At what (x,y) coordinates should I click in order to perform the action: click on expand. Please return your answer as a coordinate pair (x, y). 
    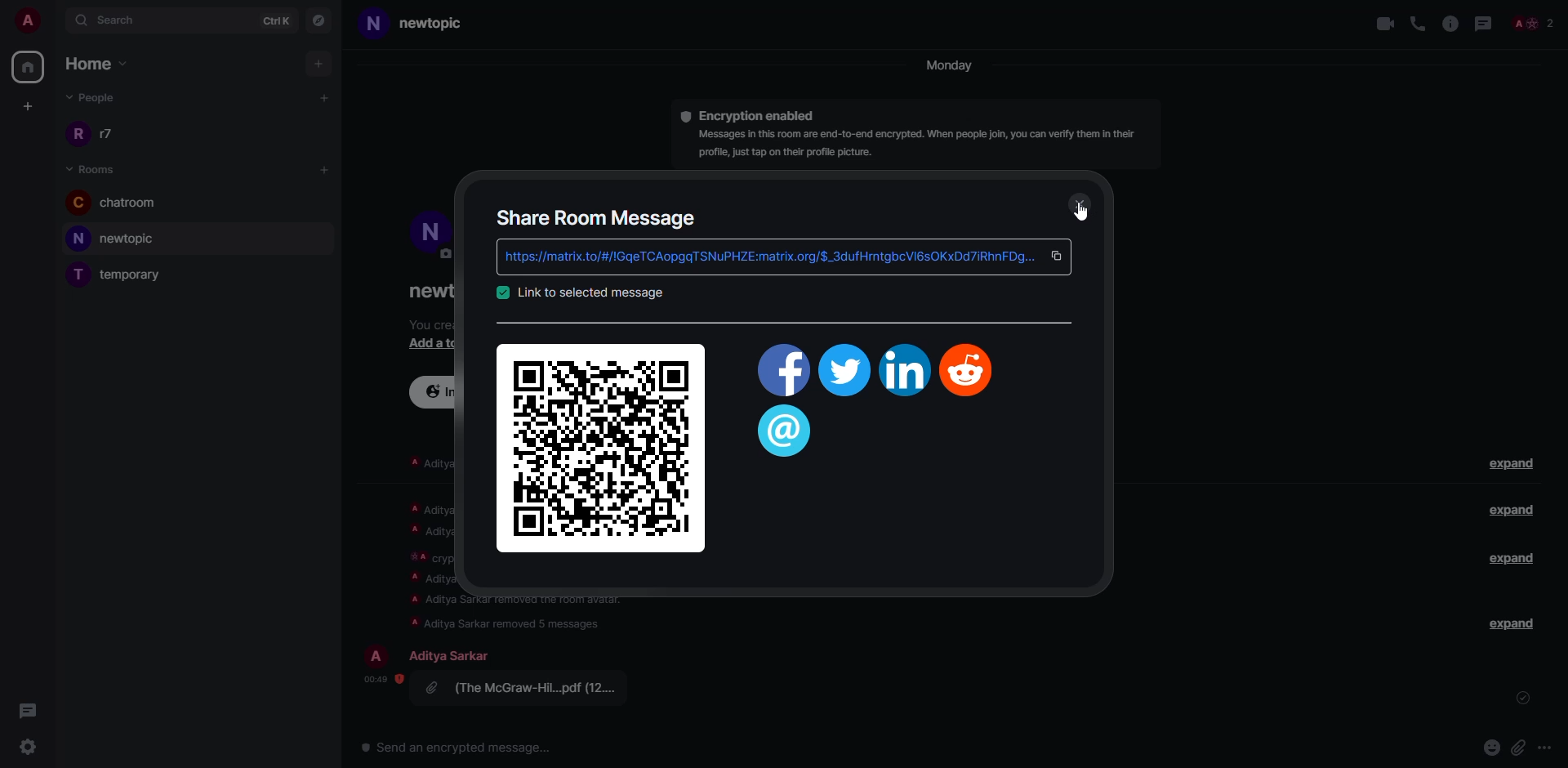
    Looking at the image, I should click on (1514, 623).